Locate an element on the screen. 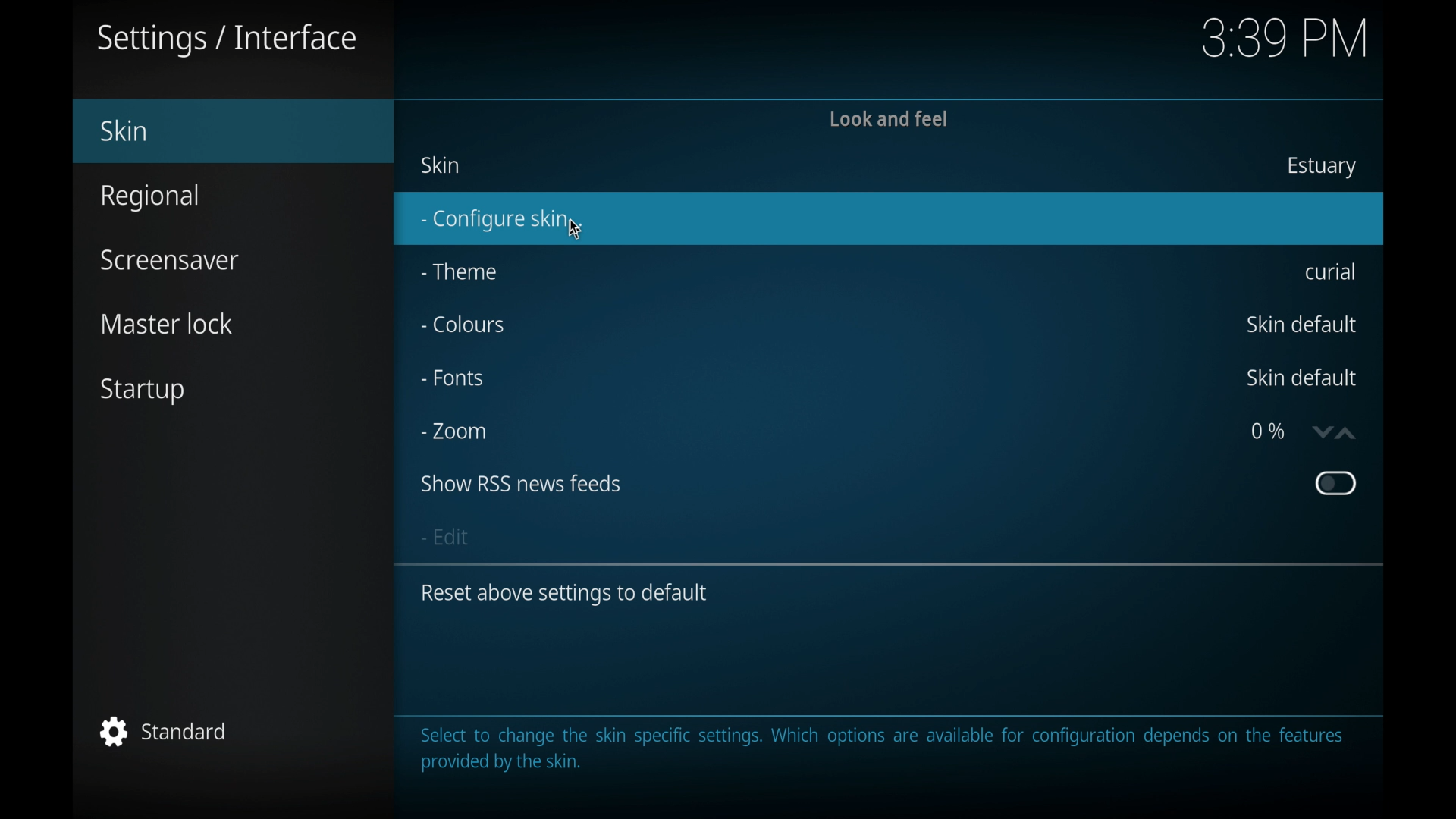 The width and height of the screenshot is (1456, 819). regional is located at coordinates (151, 198).